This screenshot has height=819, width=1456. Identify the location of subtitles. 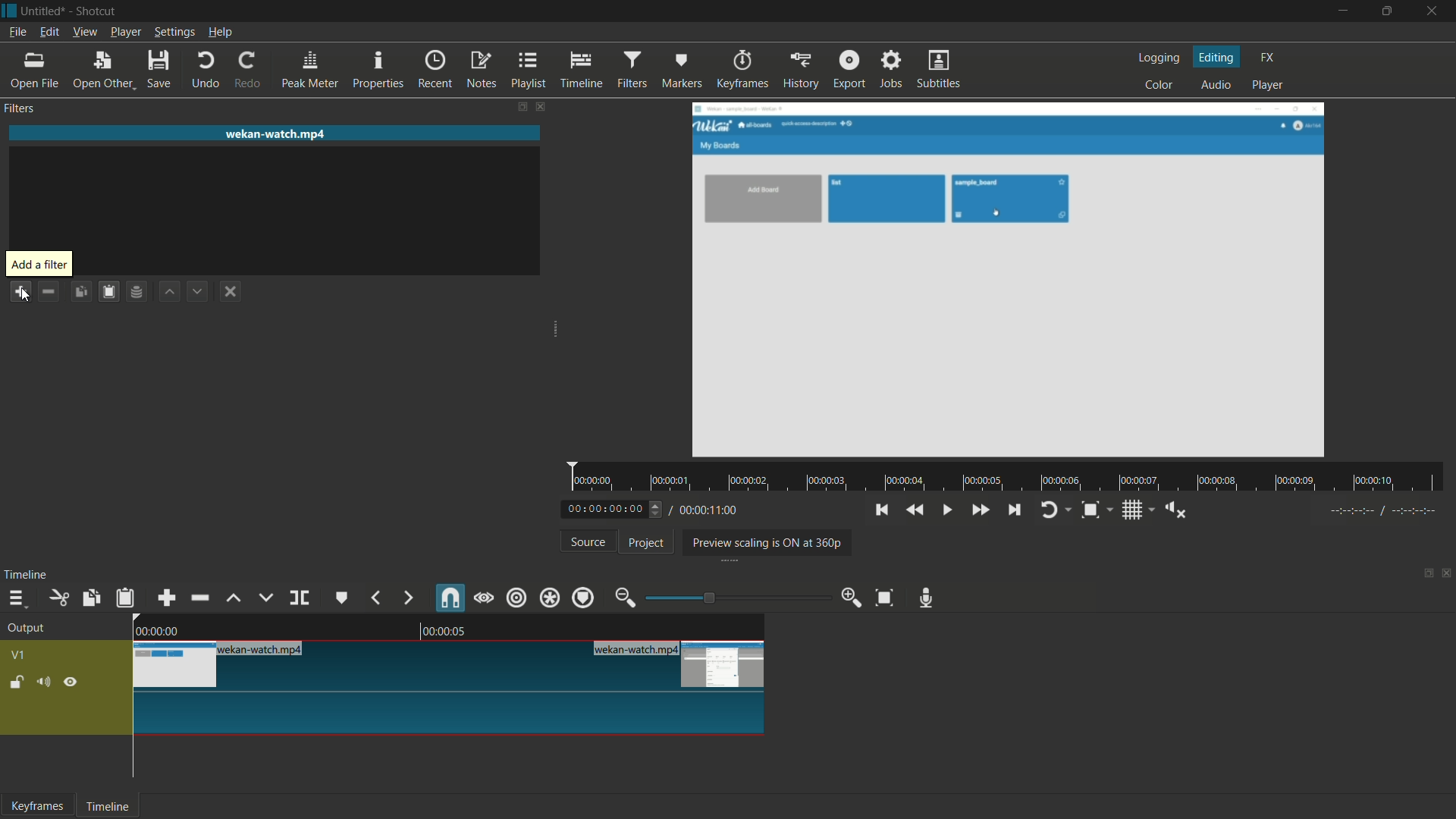
(940, 69).